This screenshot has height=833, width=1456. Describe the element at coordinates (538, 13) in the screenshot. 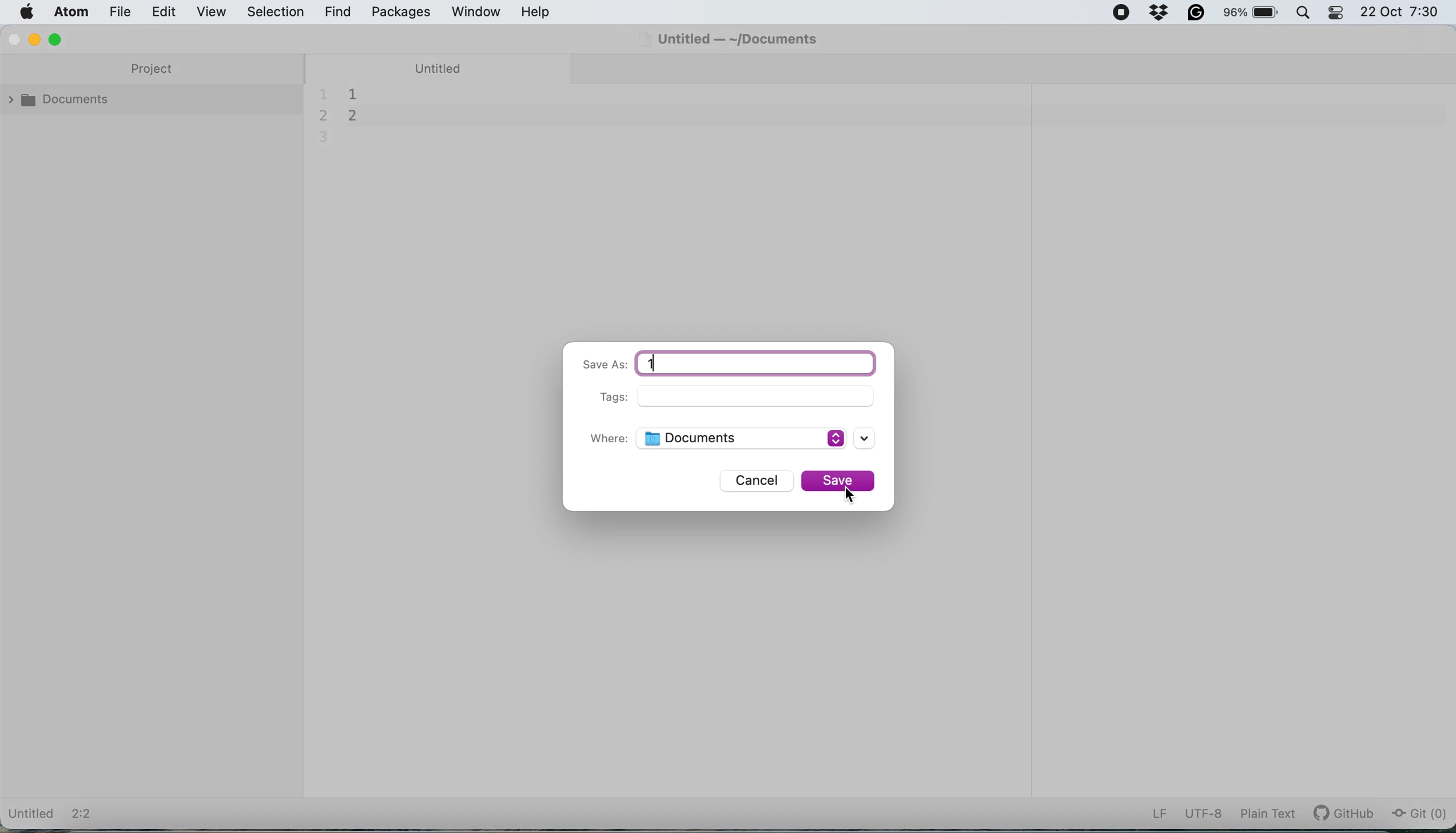

I see `help` at that location.